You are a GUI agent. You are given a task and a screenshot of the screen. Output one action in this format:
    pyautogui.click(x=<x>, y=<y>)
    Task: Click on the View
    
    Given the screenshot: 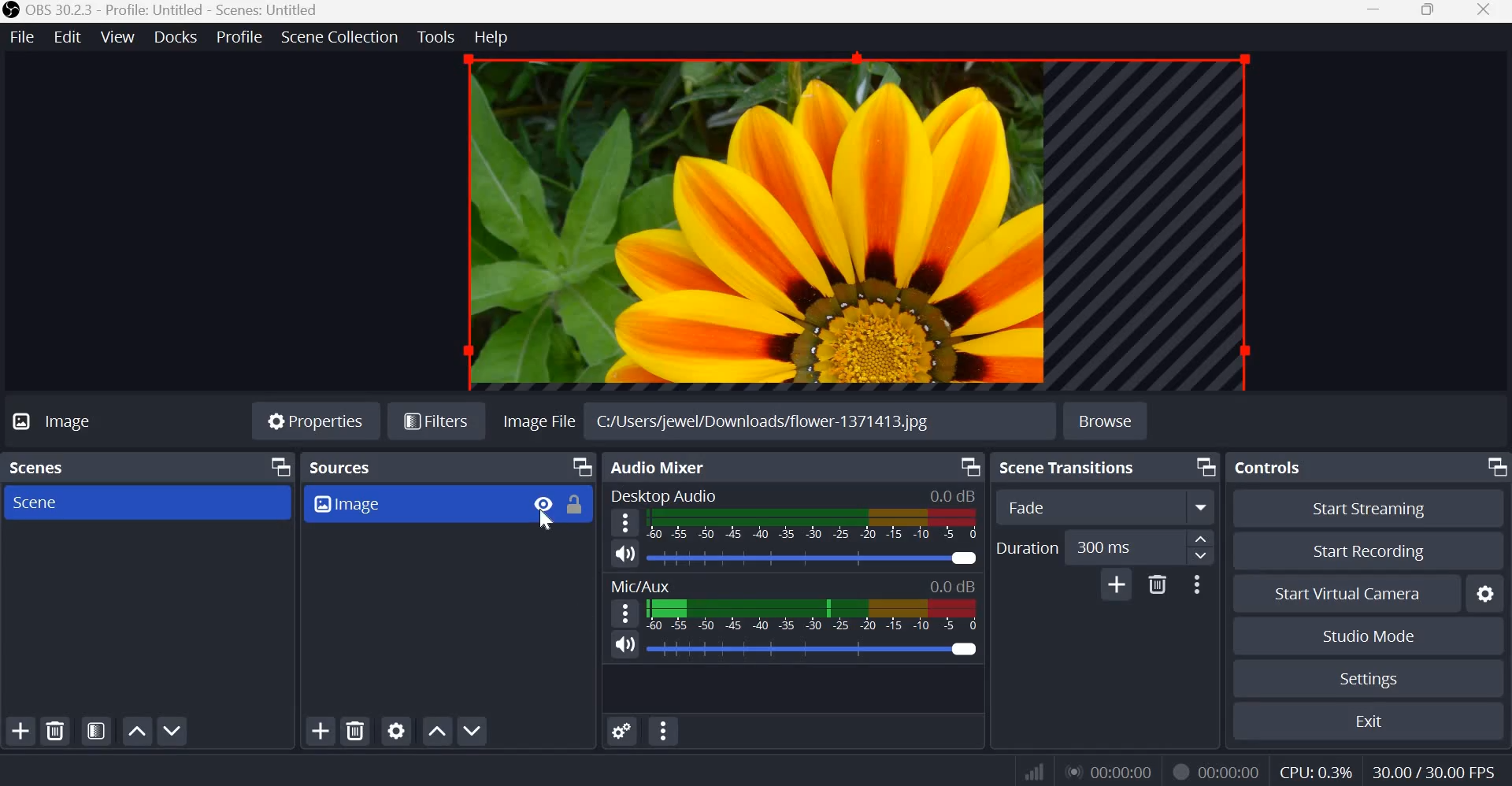 What is the action you would take?
    pyautogui.click(x=118, y=35)
    